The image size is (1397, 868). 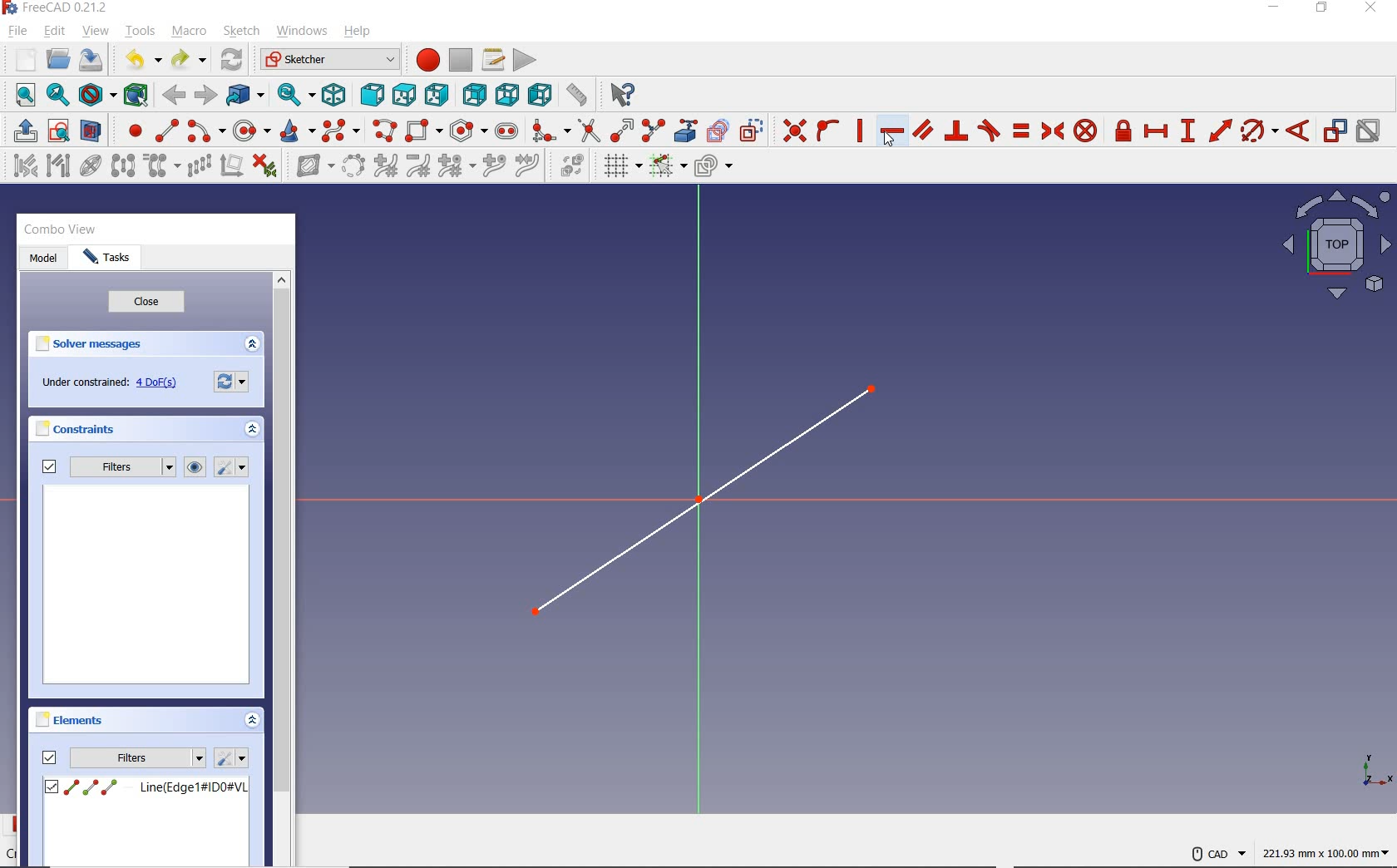 What do you see at coordinates (141, 62) in the screenshot?
I see `UNDO` at bounding box center [141, 62].